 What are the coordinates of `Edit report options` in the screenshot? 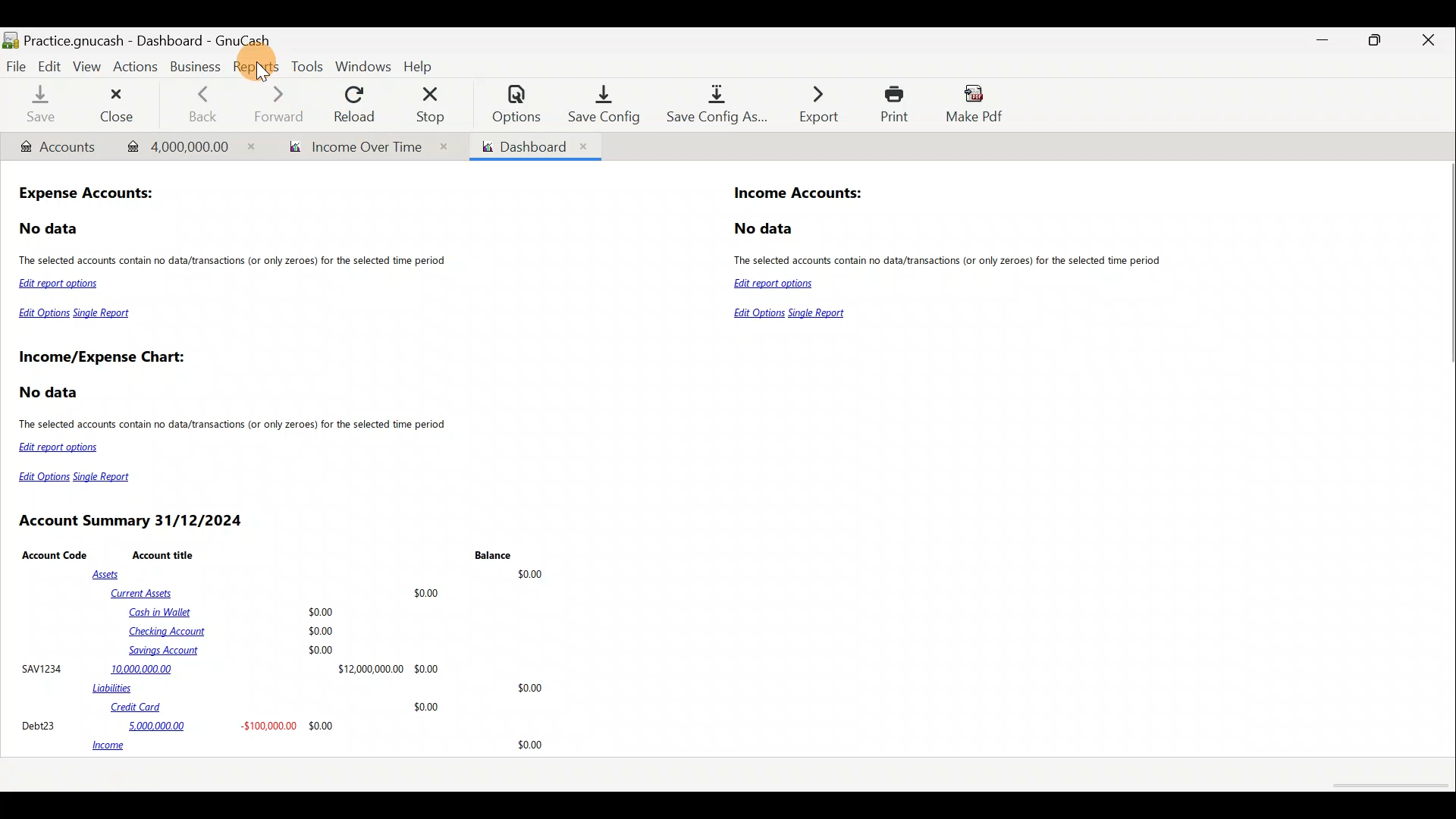 It's located at (61, 447).